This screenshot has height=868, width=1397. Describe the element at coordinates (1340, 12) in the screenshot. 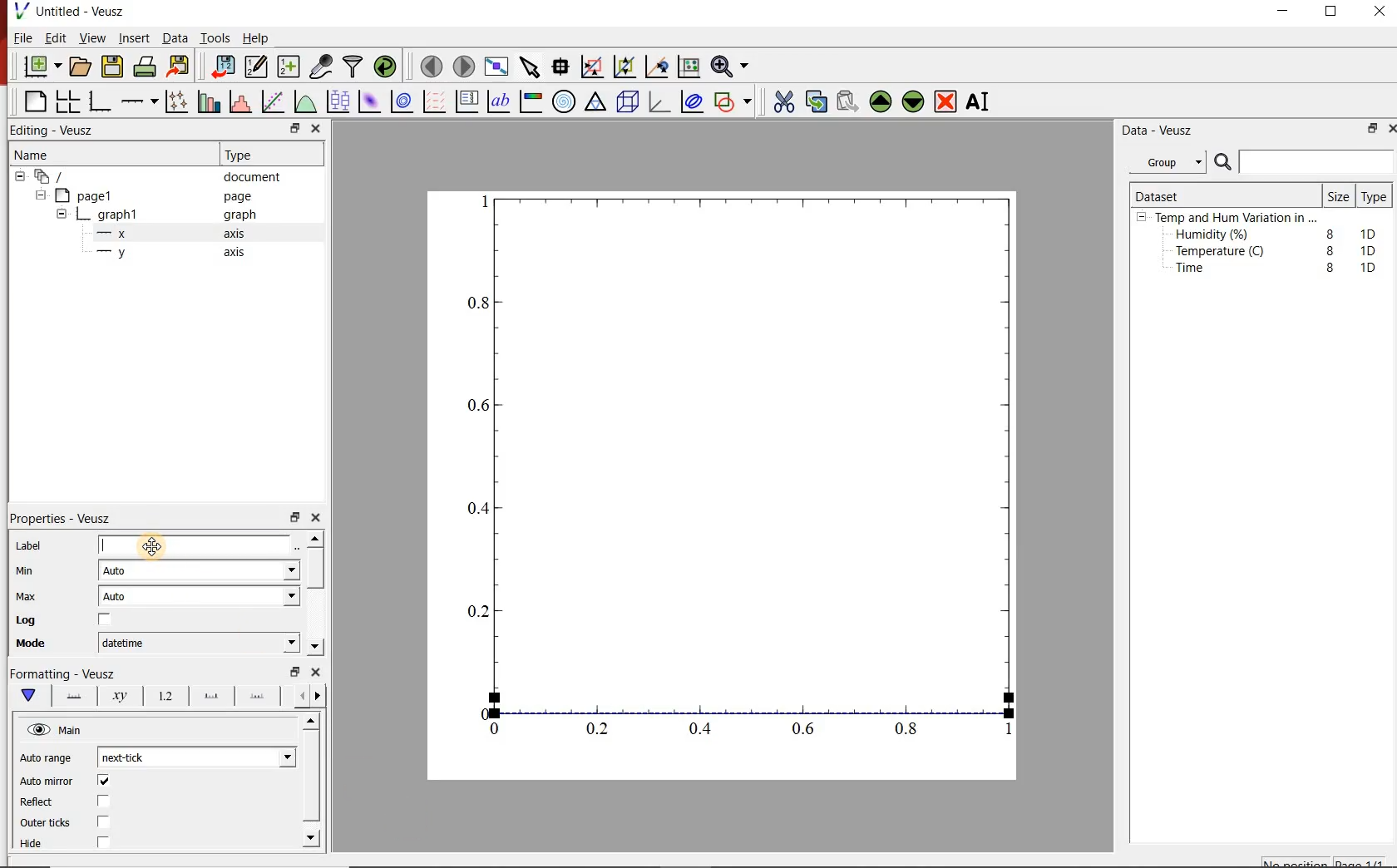

I see `maximize` at that location.